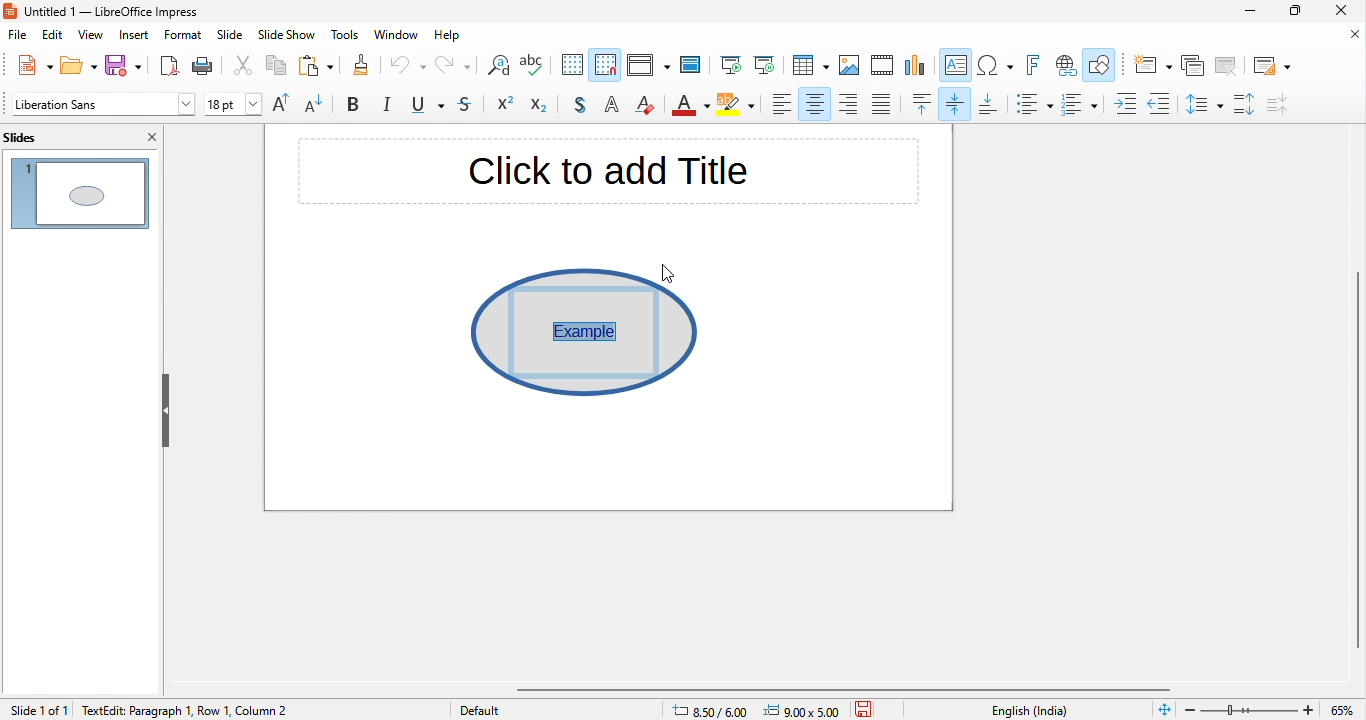 The width and height of the screenshot is (1366, 720). What do you see at coordinates (538, 67) in the screenshot?
I see `spelling` at bounding box center [538, 67].